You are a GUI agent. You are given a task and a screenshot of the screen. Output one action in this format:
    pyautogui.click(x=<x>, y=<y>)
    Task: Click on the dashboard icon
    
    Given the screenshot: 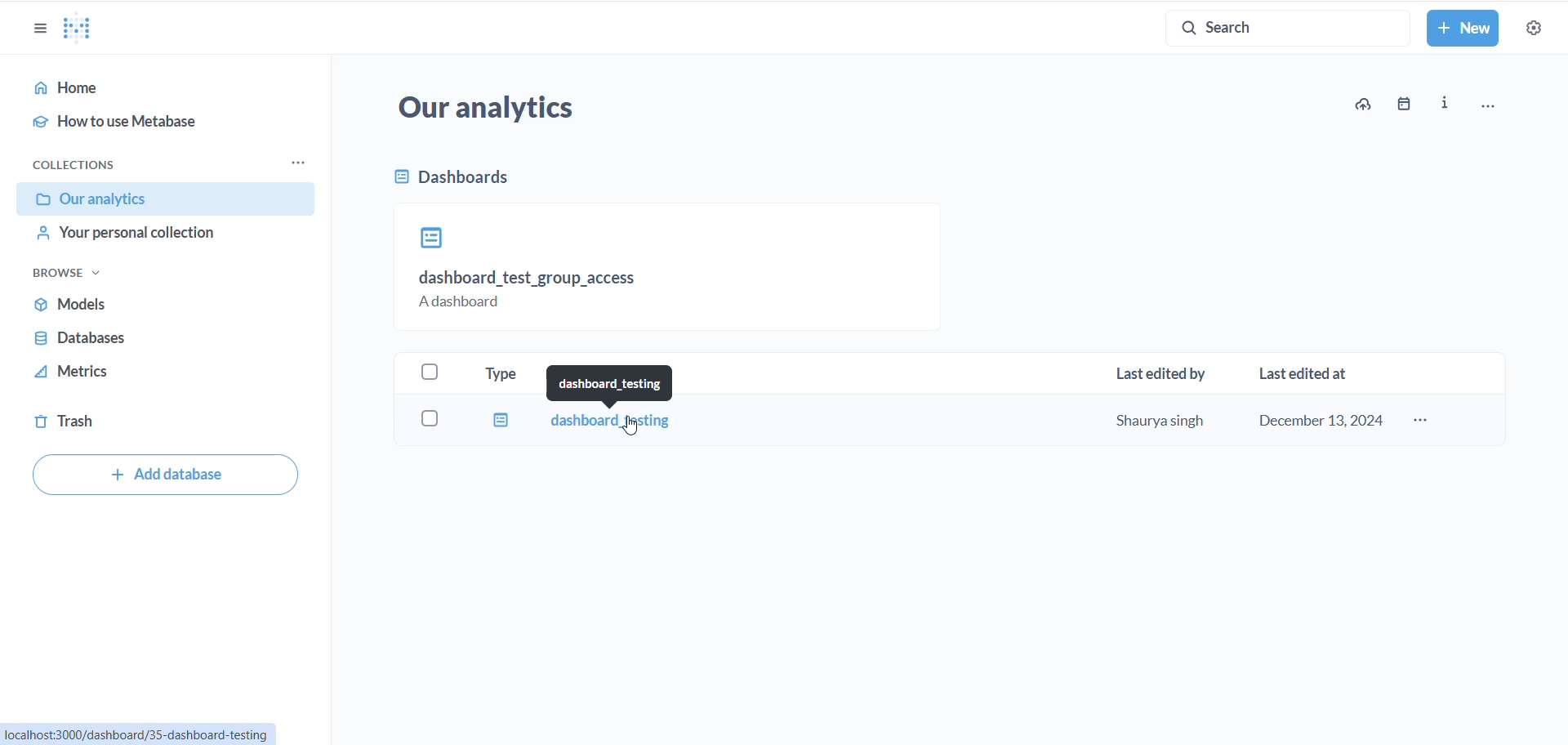 What is the action you would take?
    pyautogui.click(x=395, y=181)
    